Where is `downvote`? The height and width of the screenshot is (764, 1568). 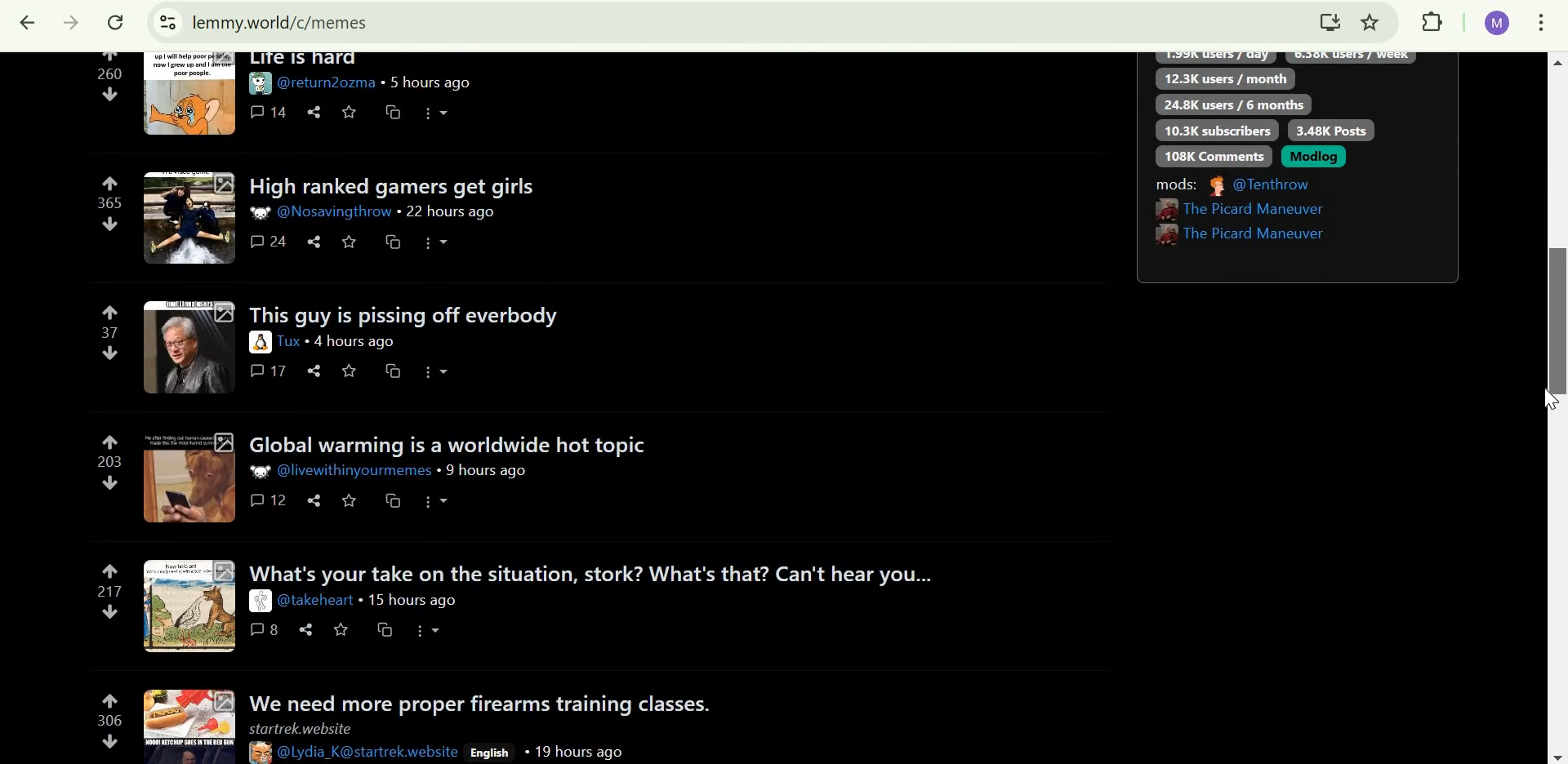
downvote is located at coordinates (111, 740).